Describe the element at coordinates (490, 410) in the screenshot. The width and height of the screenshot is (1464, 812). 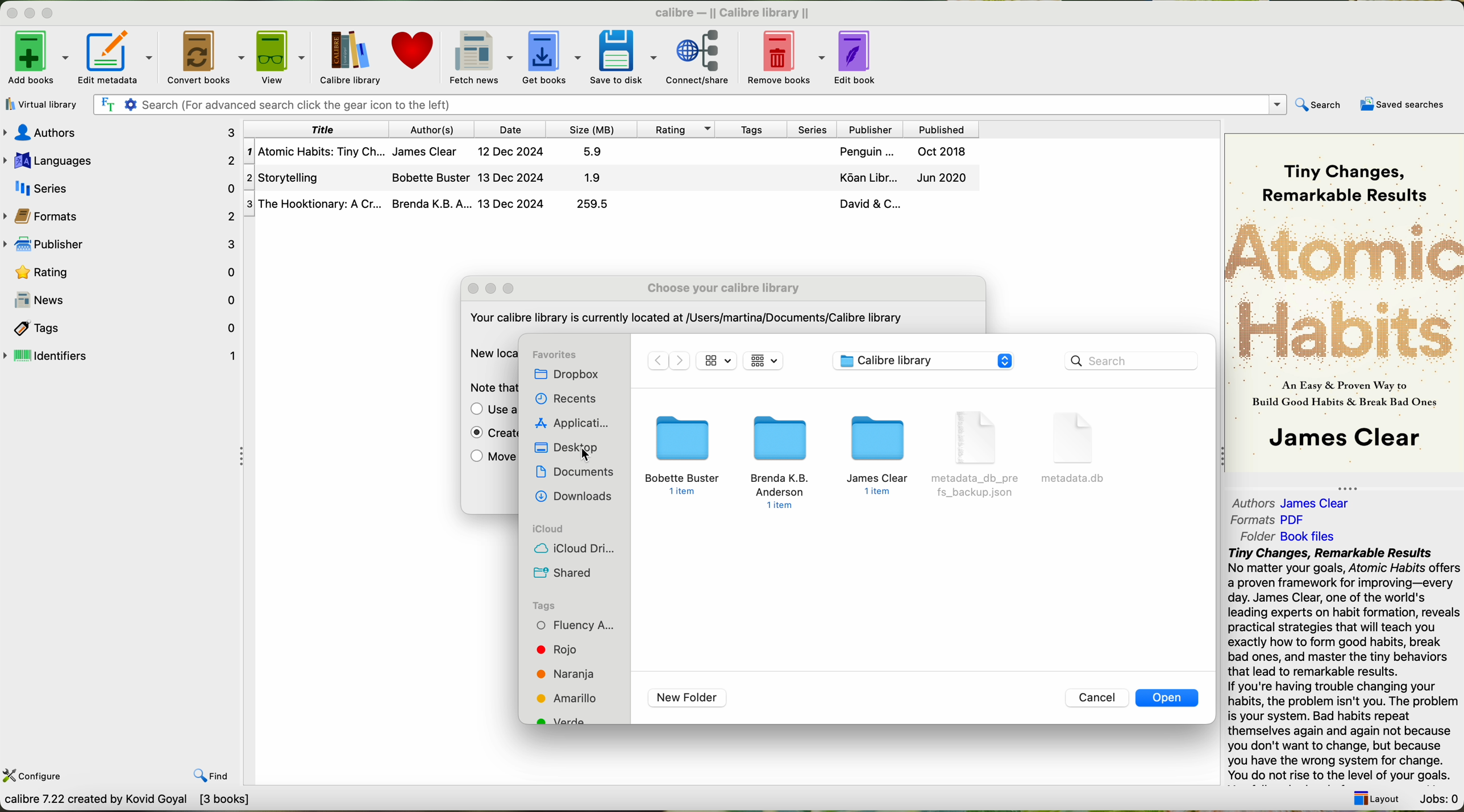
I see `move` at that location.